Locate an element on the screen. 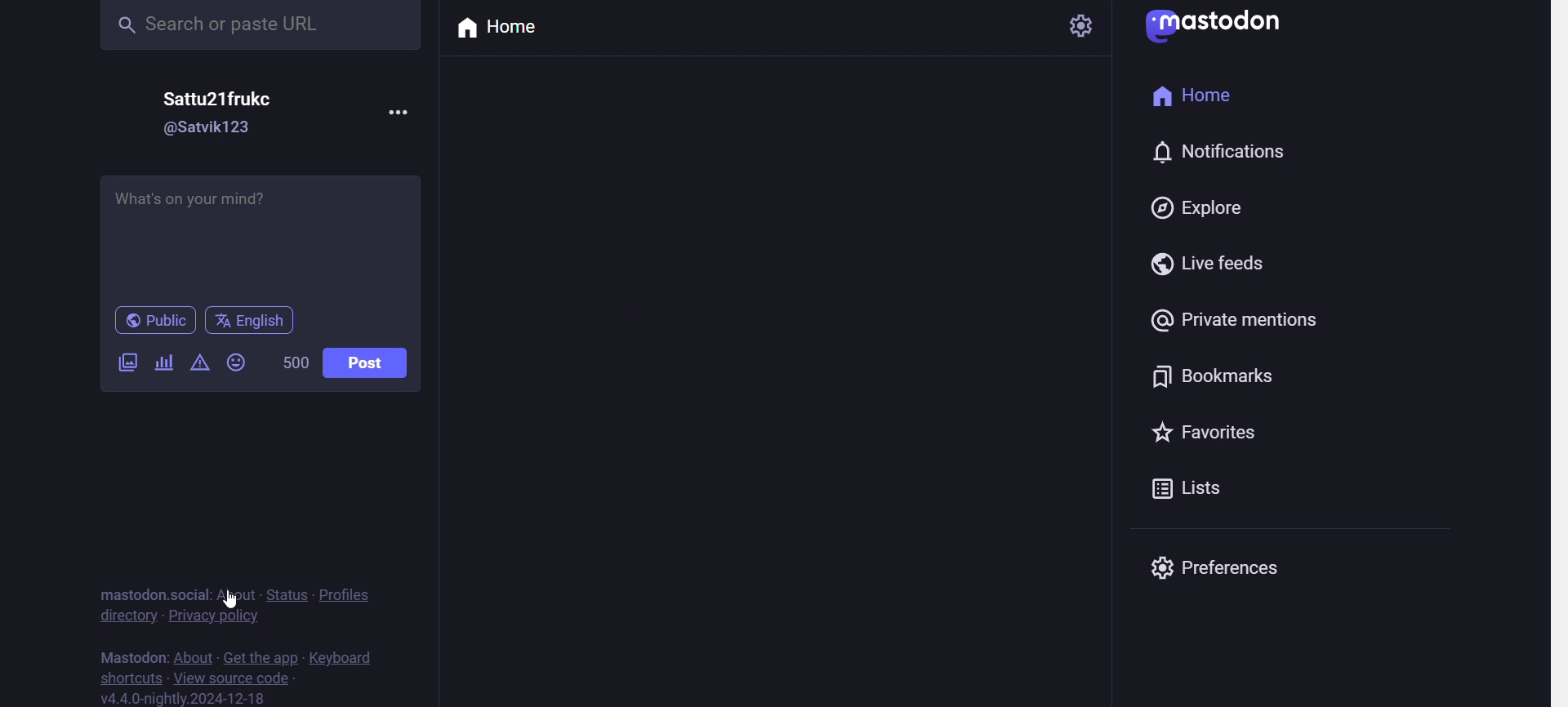 This screenshot has width=1568, height=707. live feed is located at coordinates (1225, 268).